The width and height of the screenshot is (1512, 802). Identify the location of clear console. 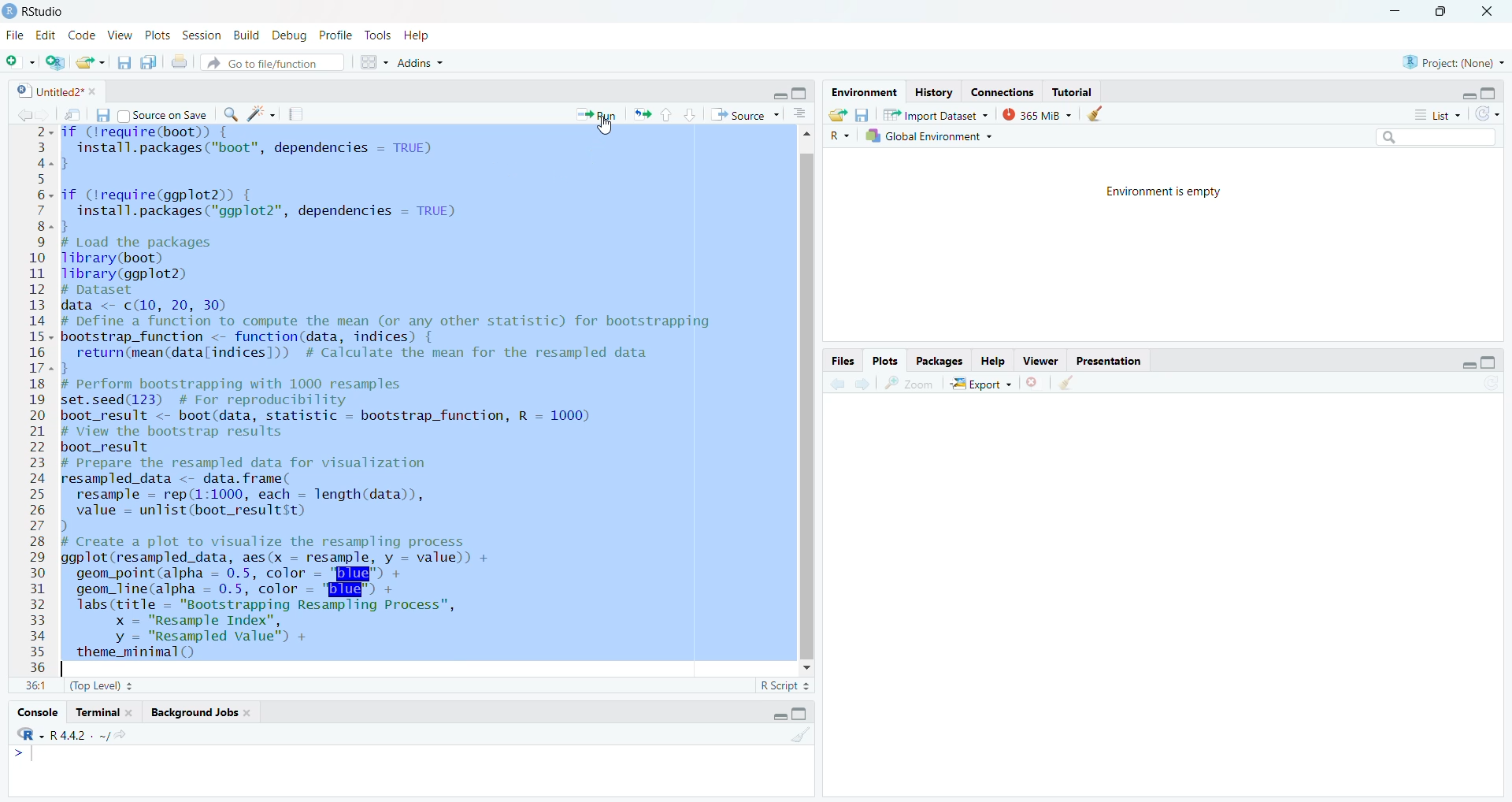
(802, 737).